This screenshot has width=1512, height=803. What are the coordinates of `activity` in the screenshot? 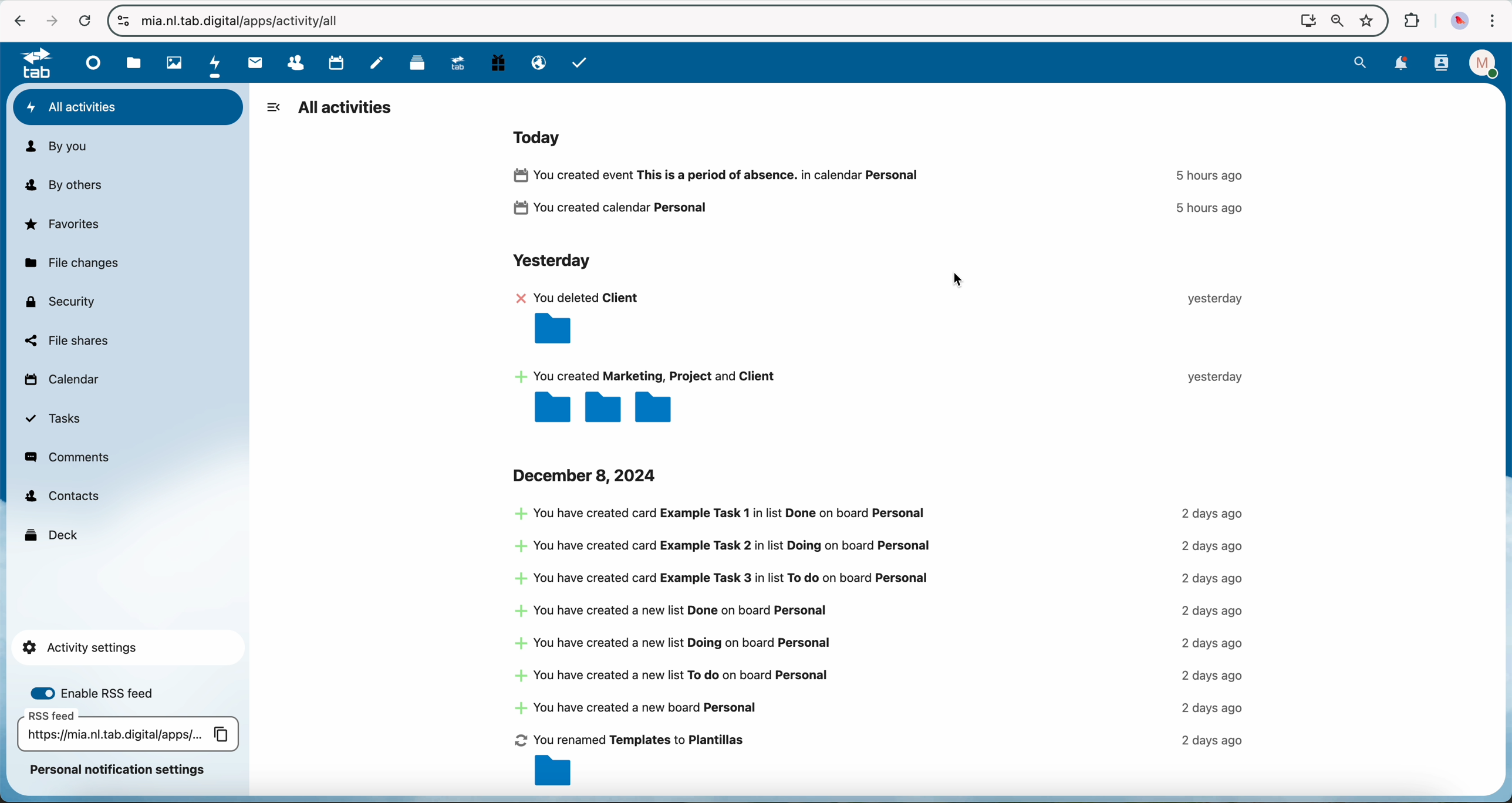 It's located at (880, 648).